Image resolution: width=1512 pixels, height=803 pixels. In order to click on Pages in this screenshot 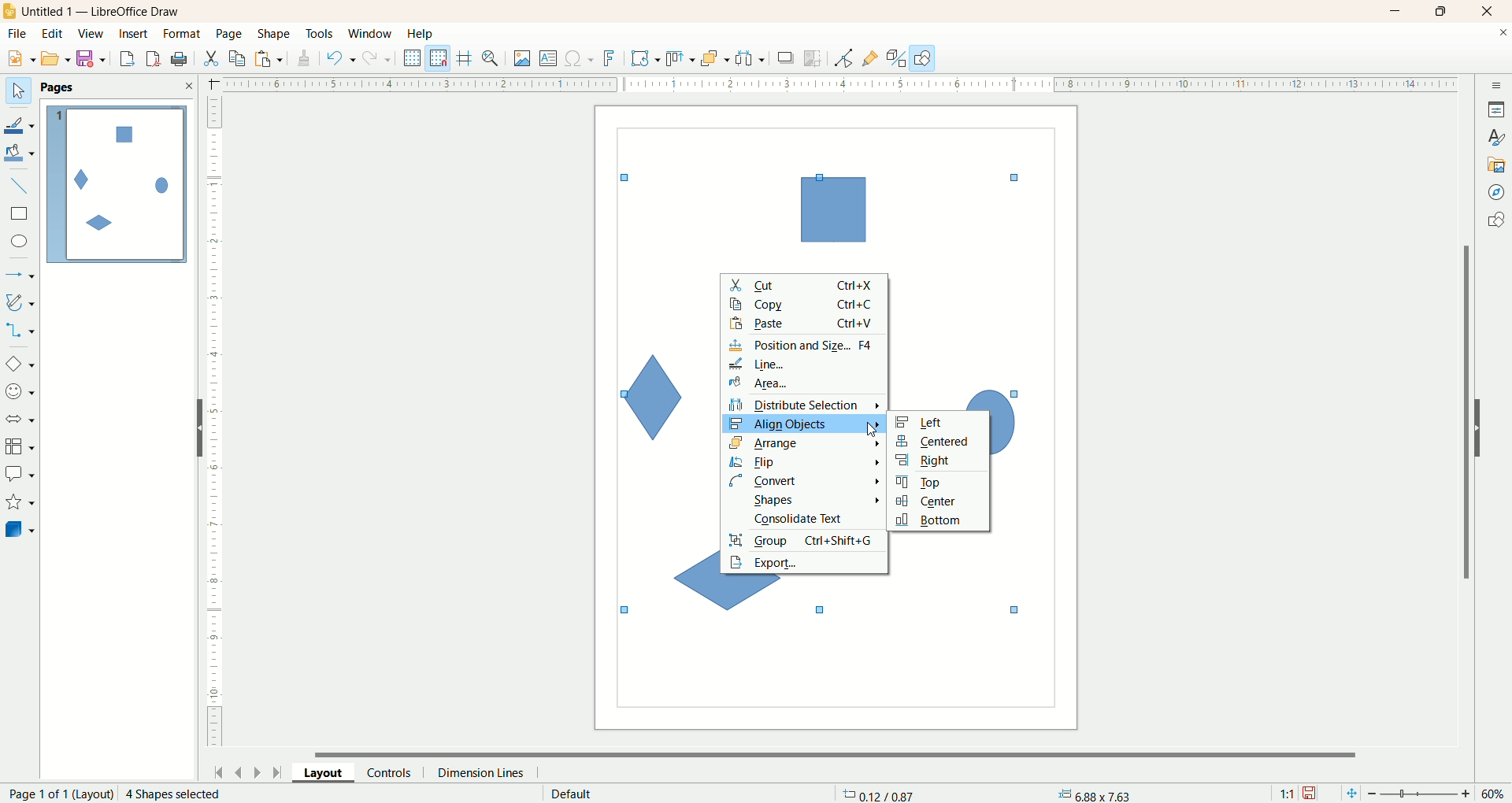, I will do `click(61, 88)`.